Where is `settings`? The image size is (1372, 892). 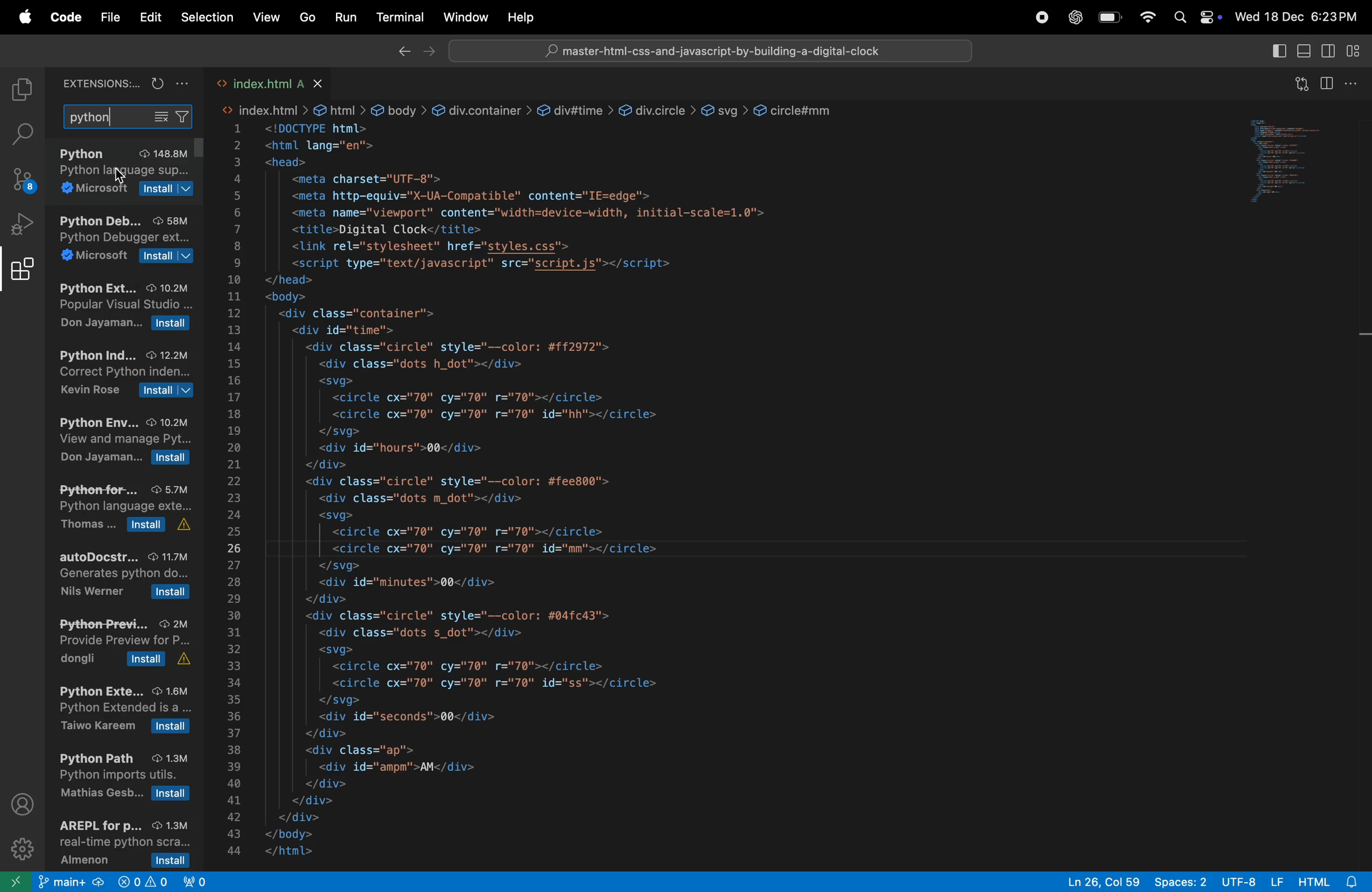
settings is located at coordinates (23, 848).